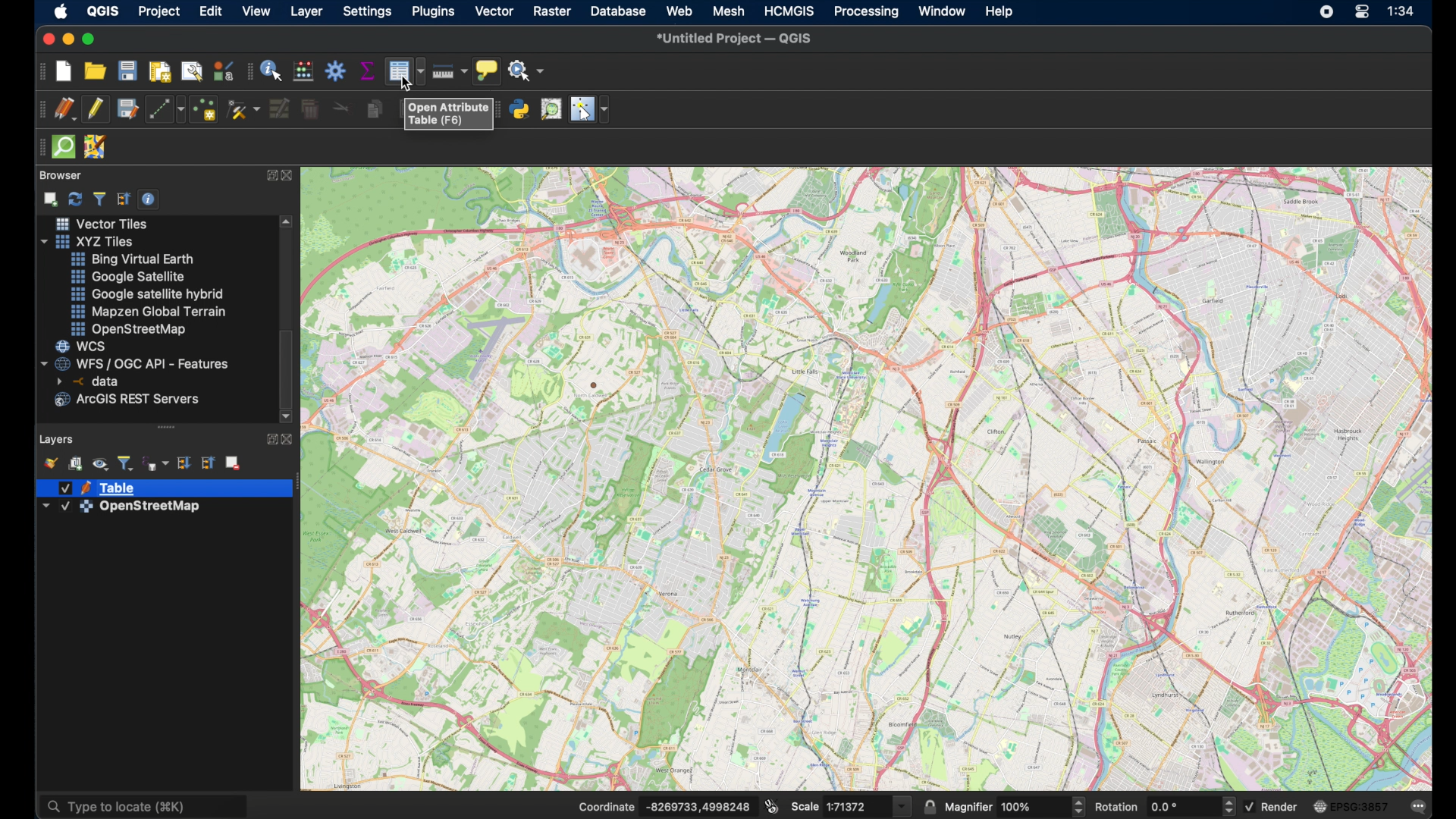 This screenshot has height=819, width=1456. I want to click on QGIS, so click(103, 11).